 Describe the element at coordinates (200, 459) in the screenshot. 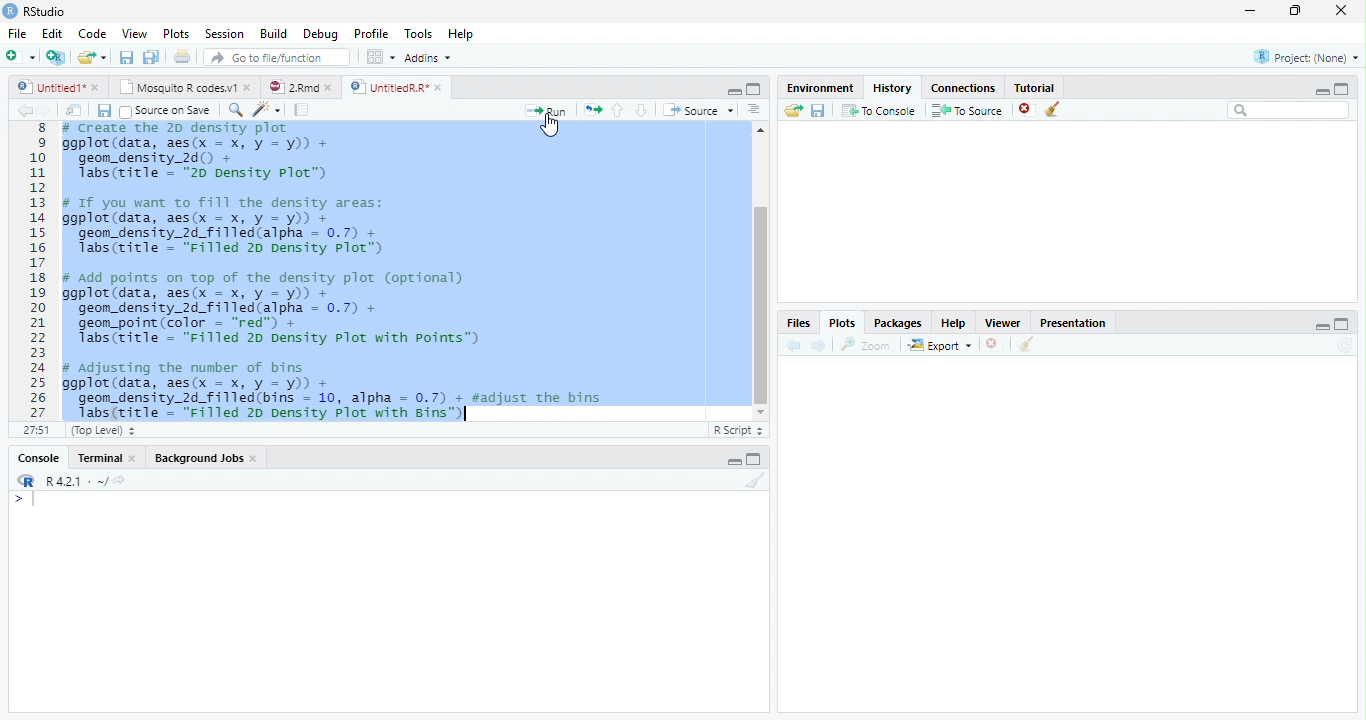

I see `Background Jobs` at that location.